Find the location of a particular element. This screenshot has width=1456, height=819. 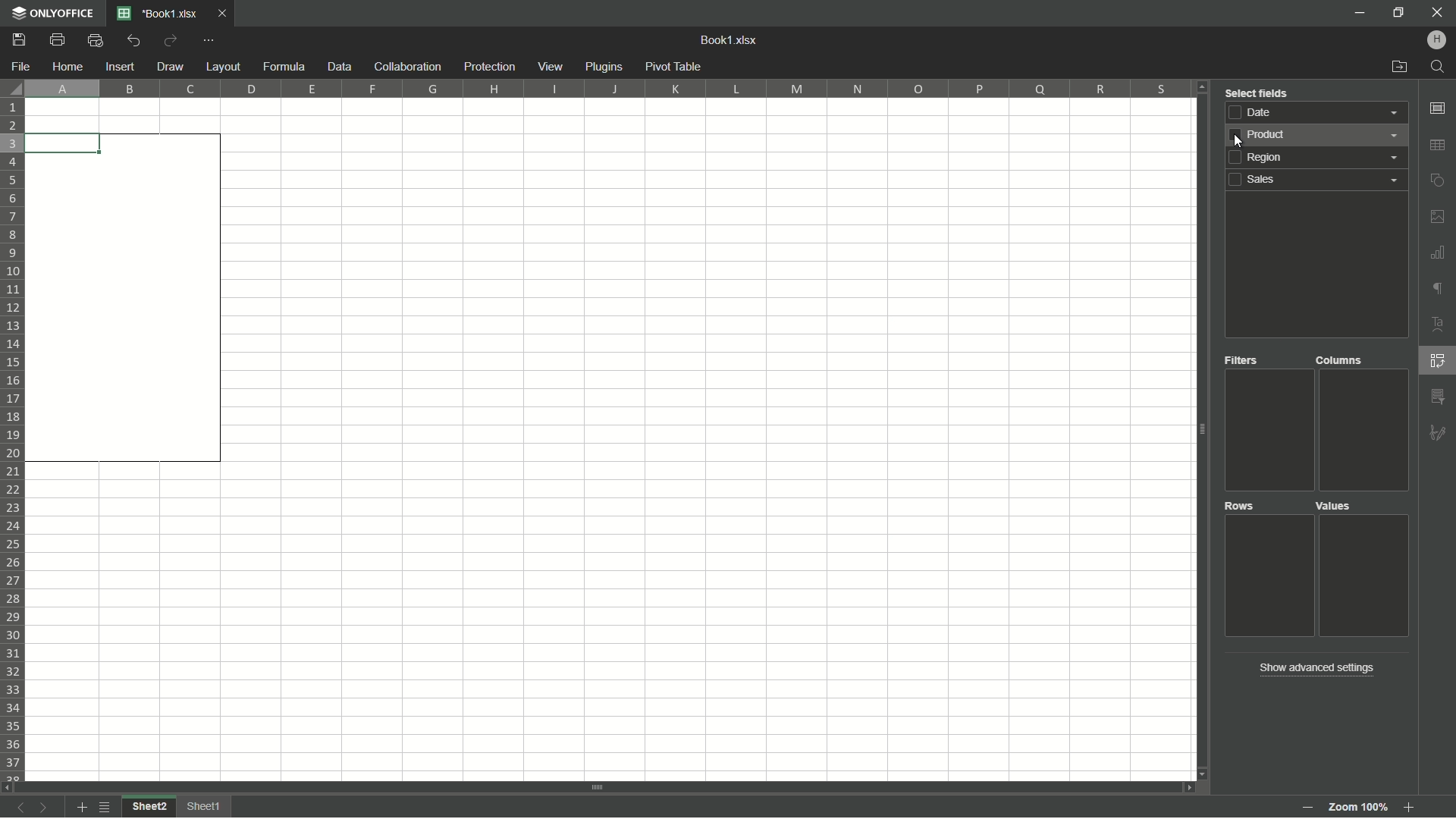

Layout is located at coordinates (221, 66).